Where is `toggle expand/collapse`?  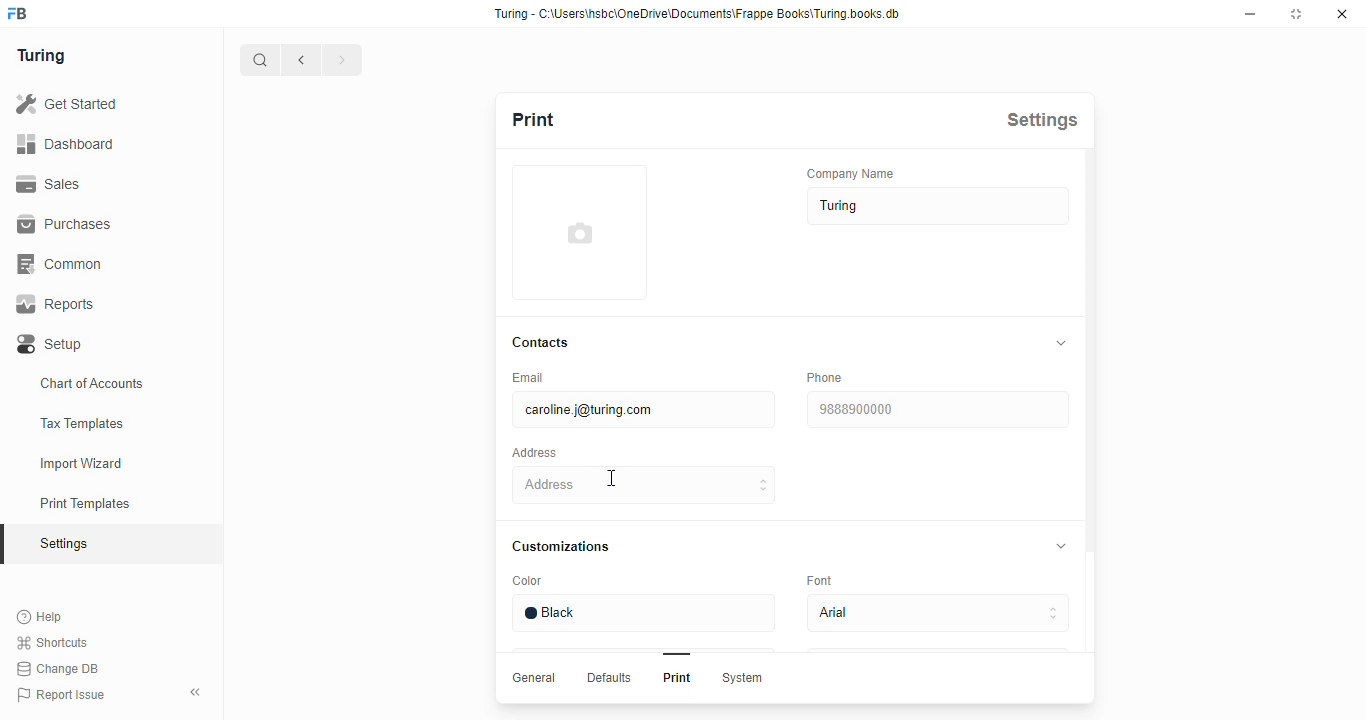 toggle expand/collapse is located at coordinates (1062, 545).